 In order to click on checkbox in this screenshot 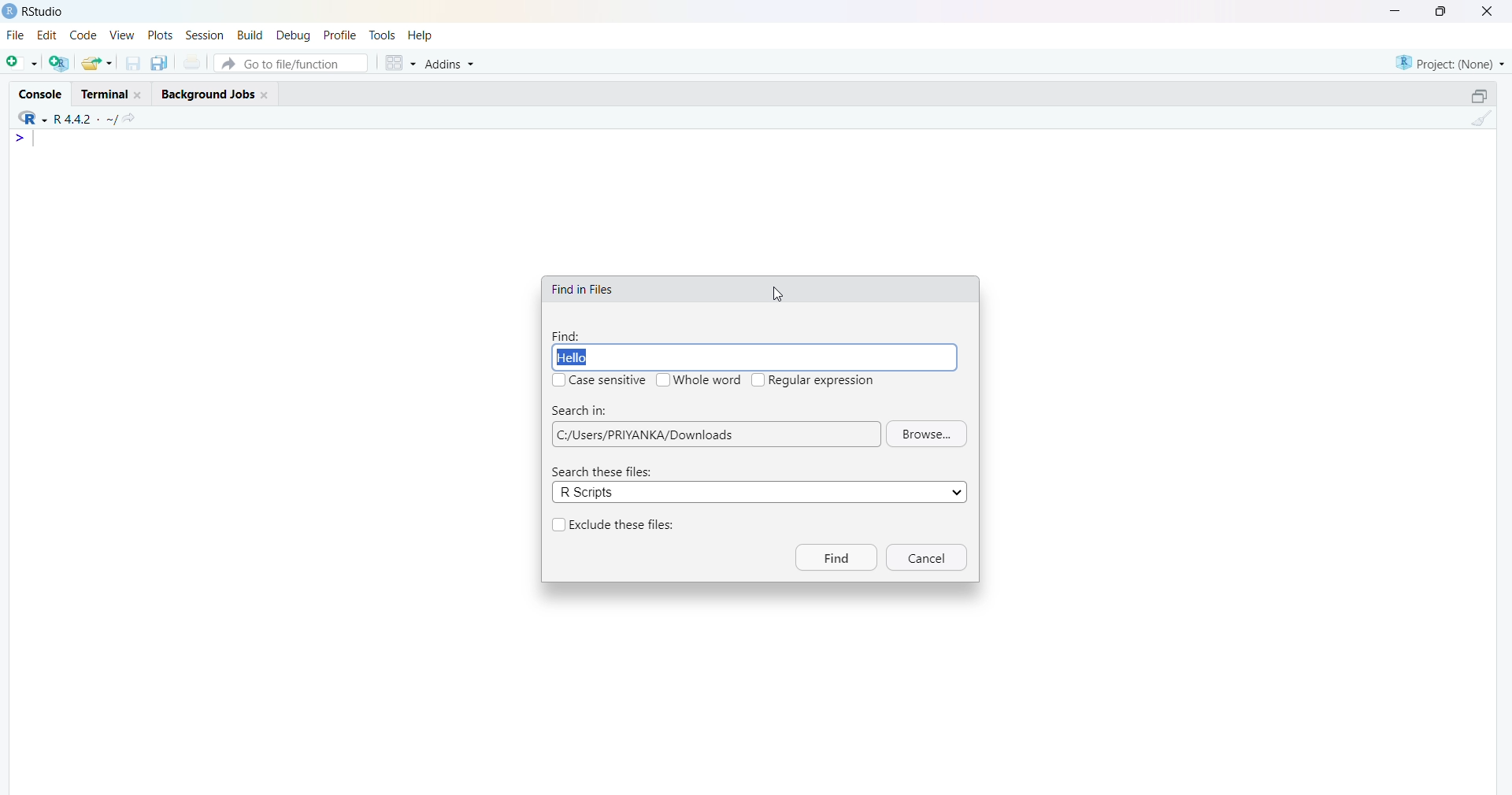, I will do `click(664, 380)`.